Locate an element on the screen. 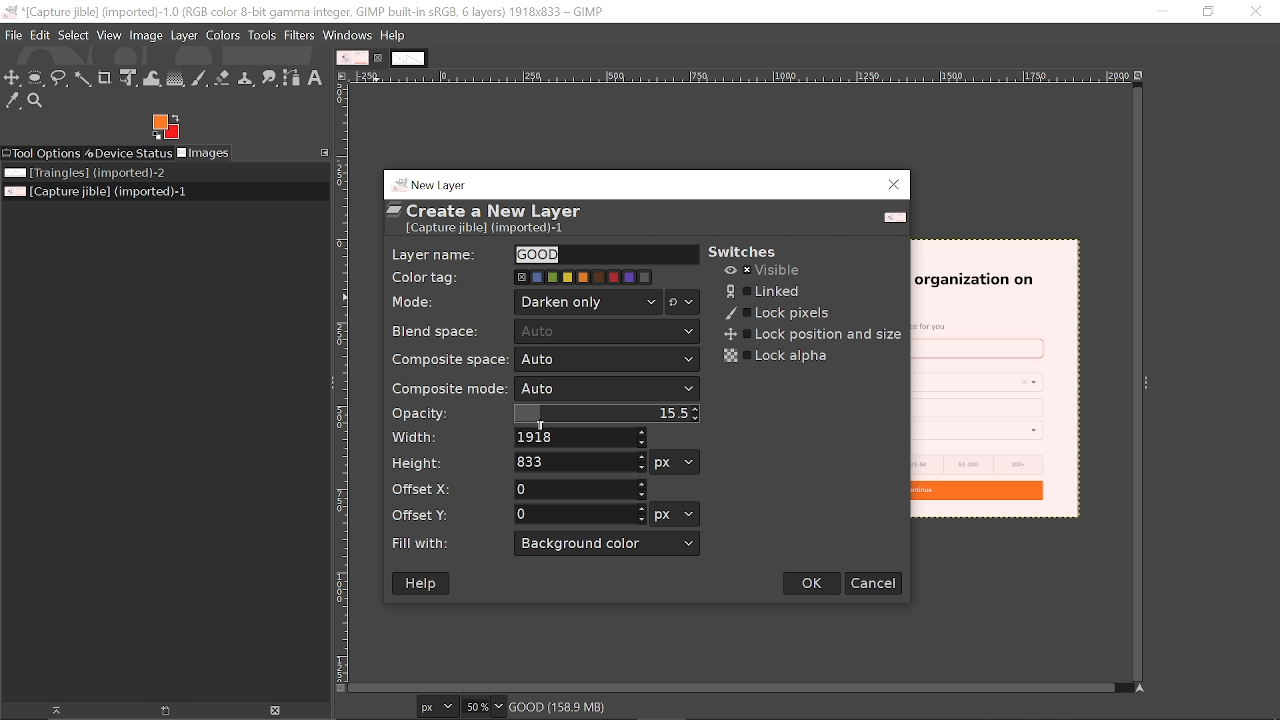 The height and width of the screenshot is (720, 1280). Color tag is located at coordinates (585, 277).